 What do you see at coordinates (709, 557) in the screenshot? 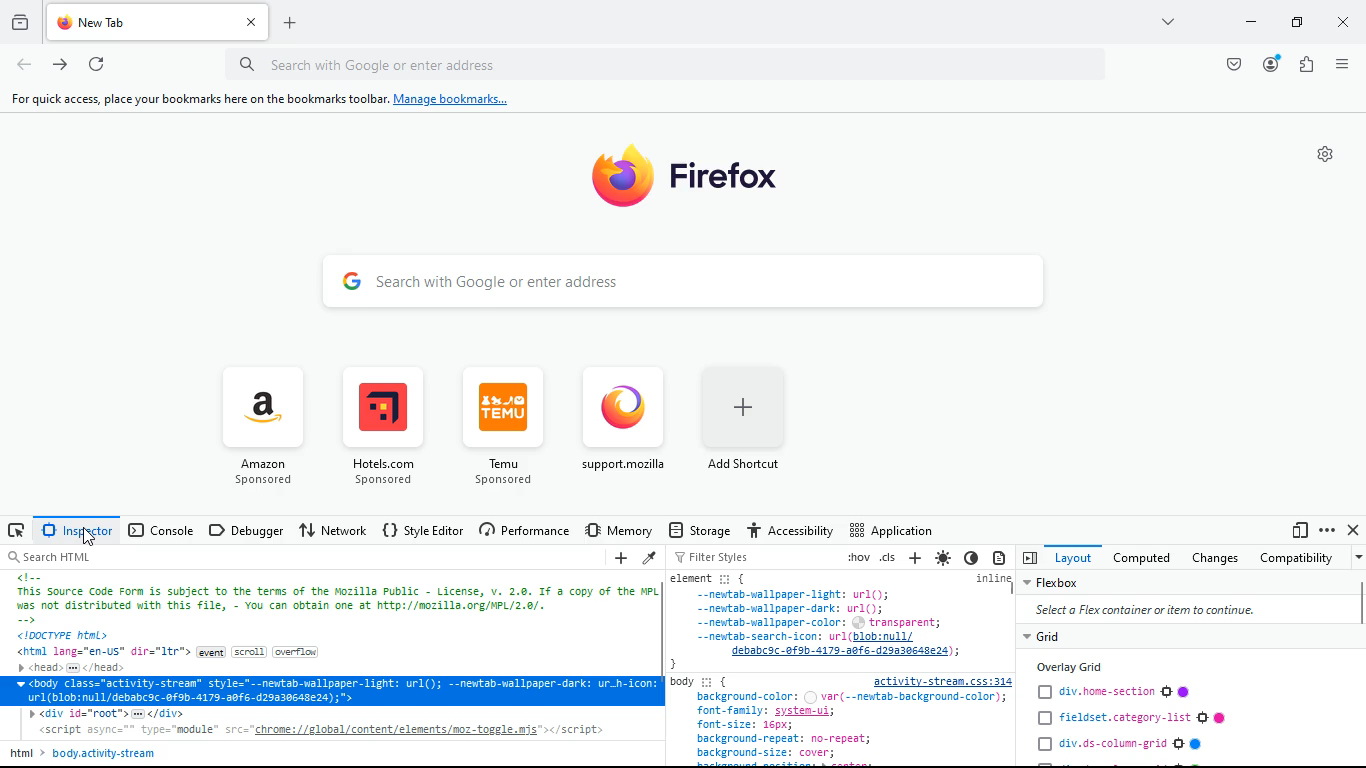
I see `filter styles` at bounding box center [709, 557].